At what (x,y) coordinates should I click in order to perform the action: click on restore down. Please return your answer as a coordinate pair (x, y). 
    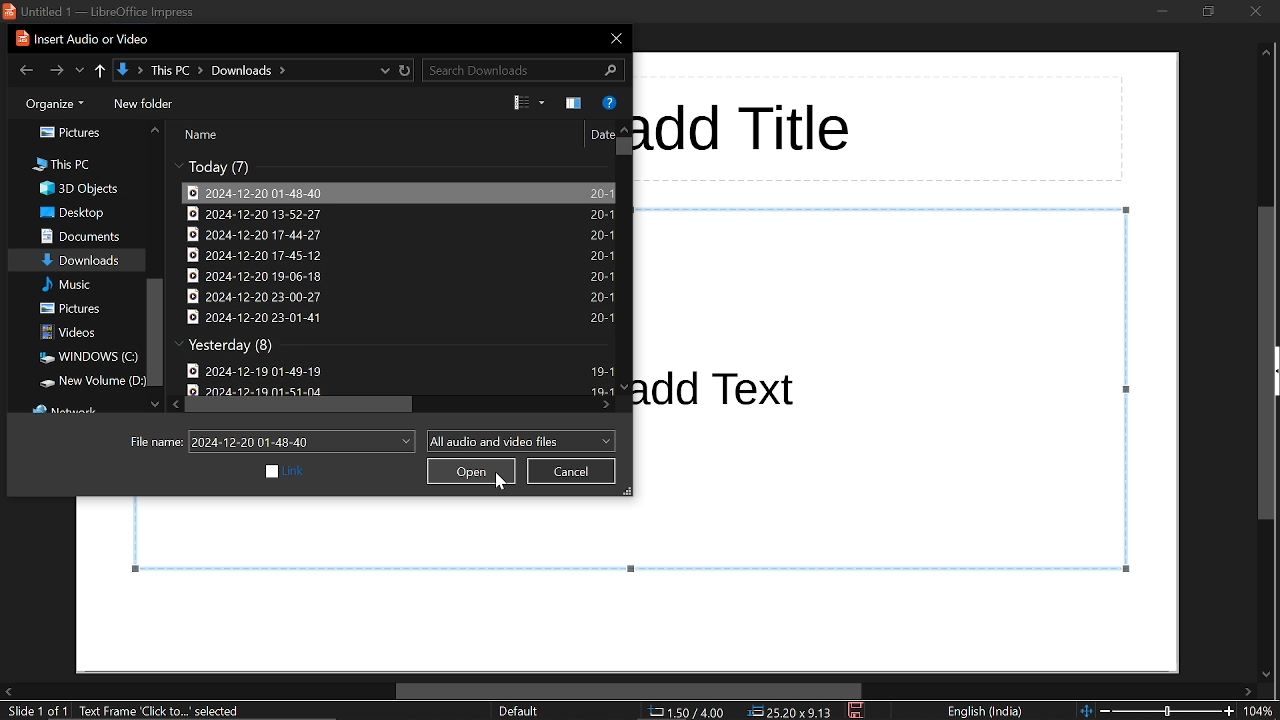
    Looking at the image, I should click on (1206, 13).